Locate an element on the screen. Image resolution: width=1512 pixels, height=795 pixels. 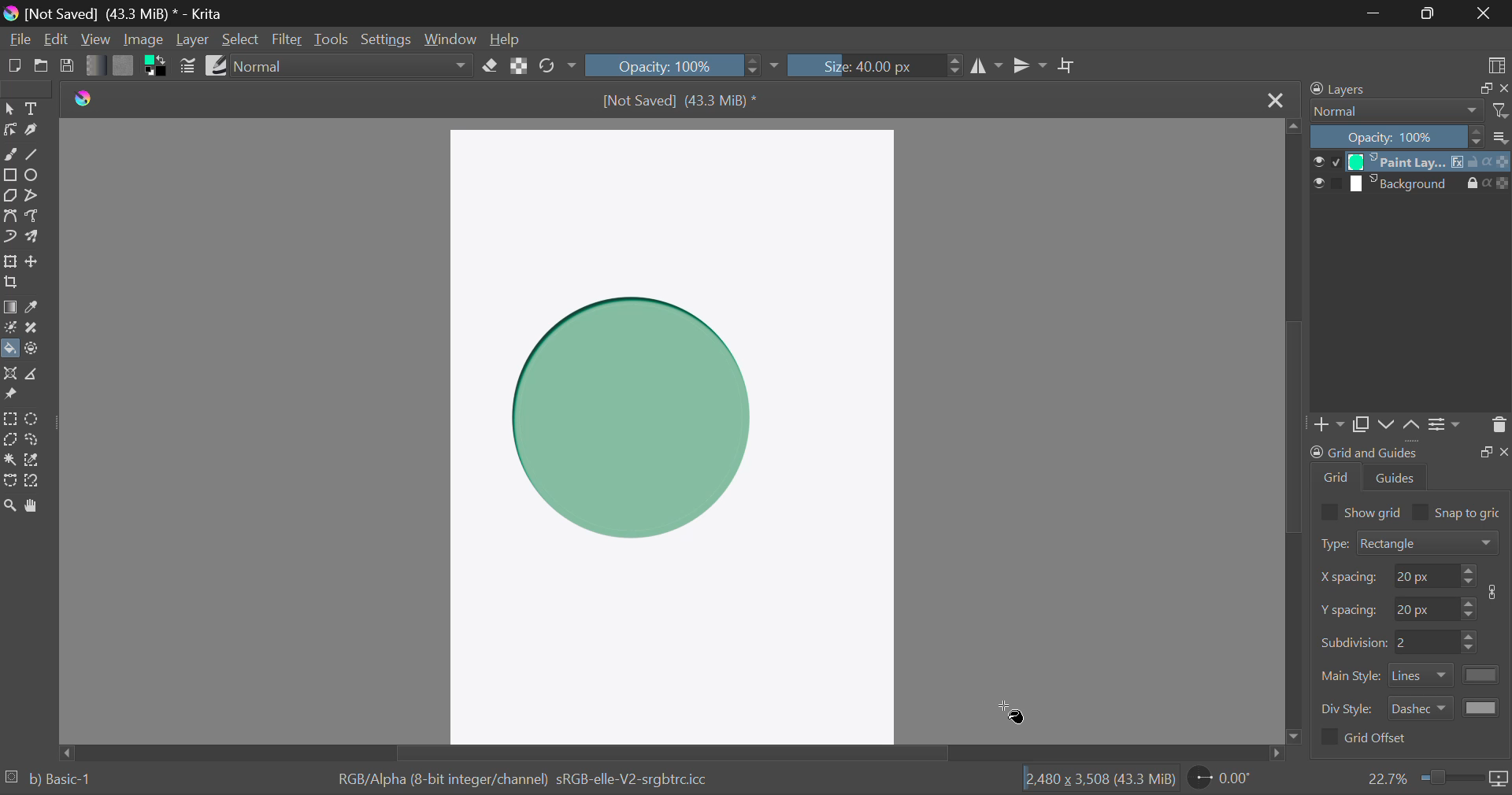
Move Layer is located at coordinates (34, 262).